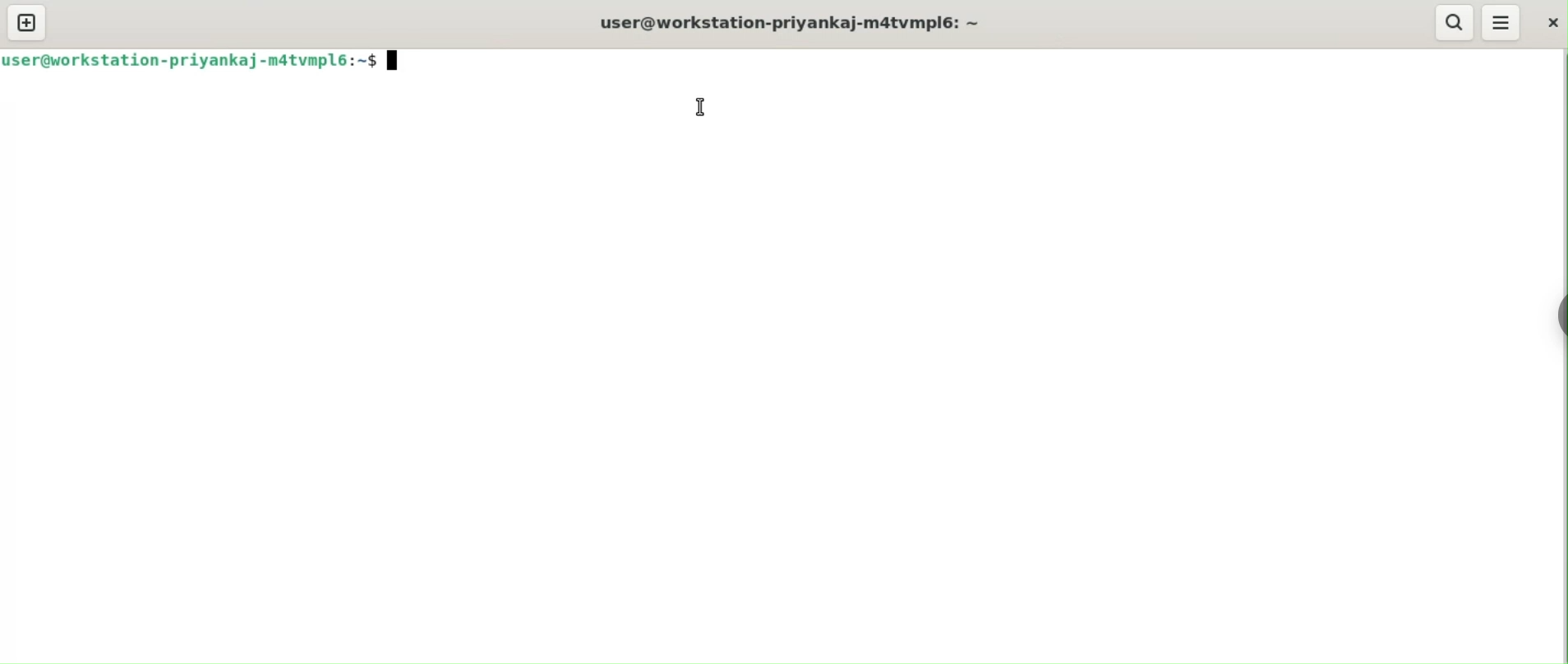 The width and height of the screenshot is (1568, 664). What do you see at coordinates (1549, 25) in the screenshot?
I see `close` at bounding box center [1549, 25].